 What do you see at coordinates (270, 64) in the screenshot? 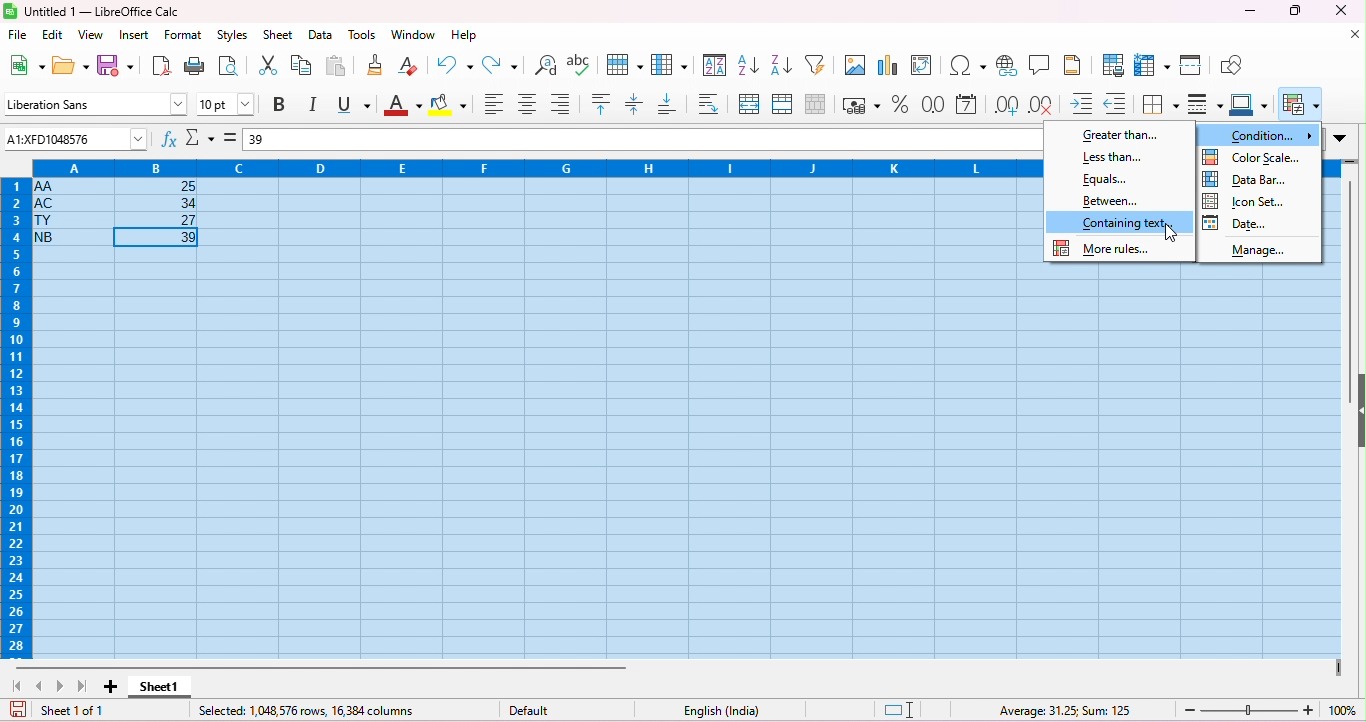
I see `cut` at bounding box center [270, 64].